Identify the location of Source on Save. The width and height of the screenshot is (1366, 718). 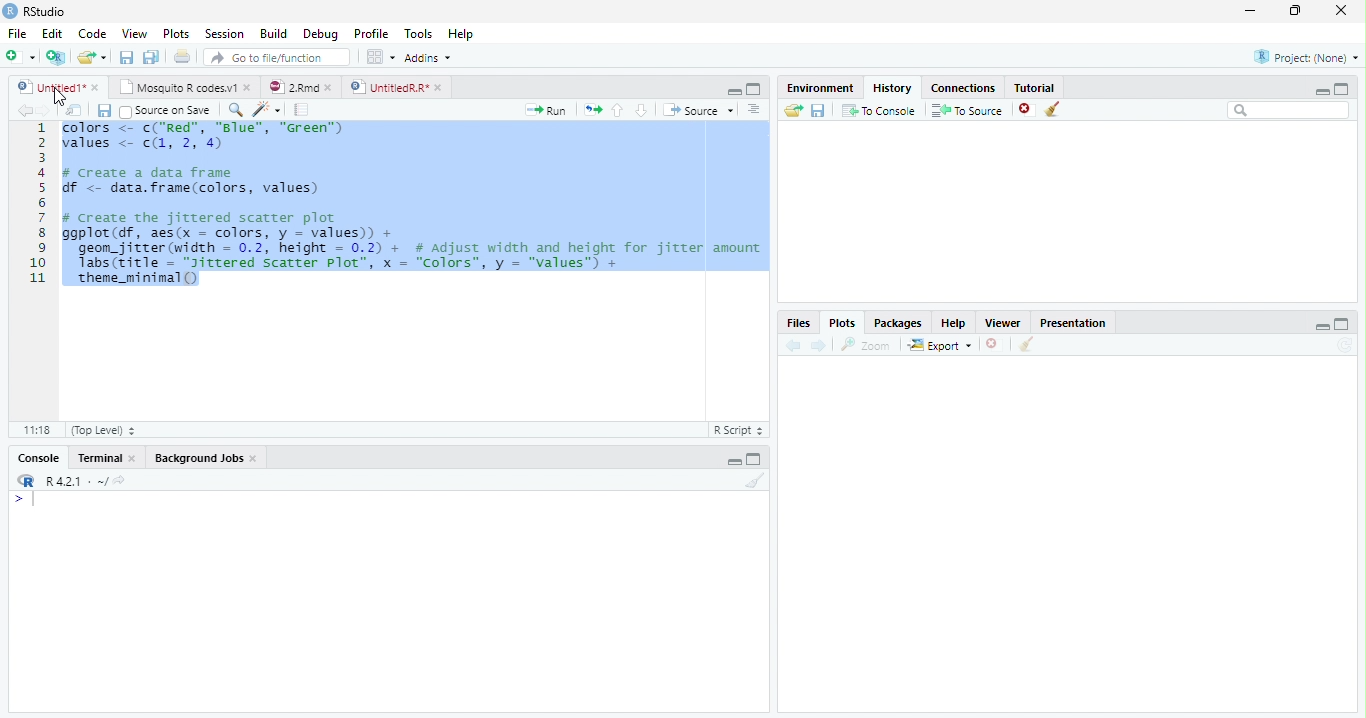
(167, 111).